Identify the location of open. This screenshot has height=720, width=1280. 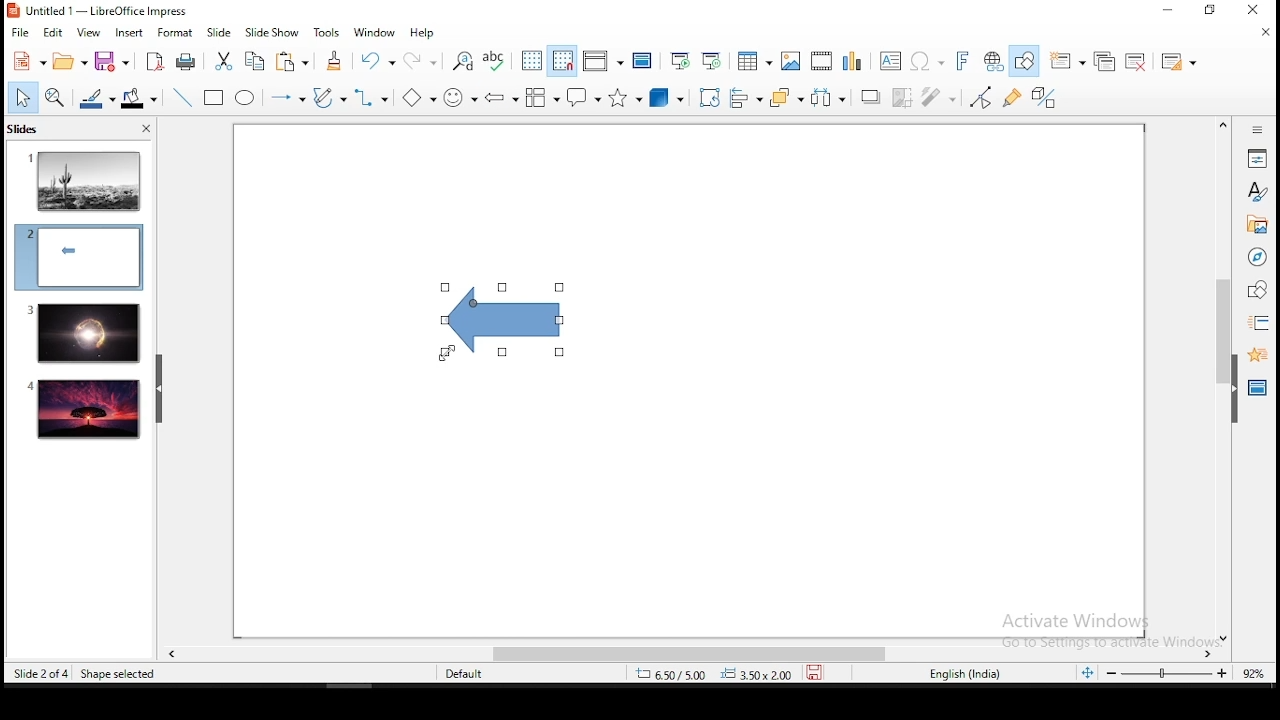
(69, 62).